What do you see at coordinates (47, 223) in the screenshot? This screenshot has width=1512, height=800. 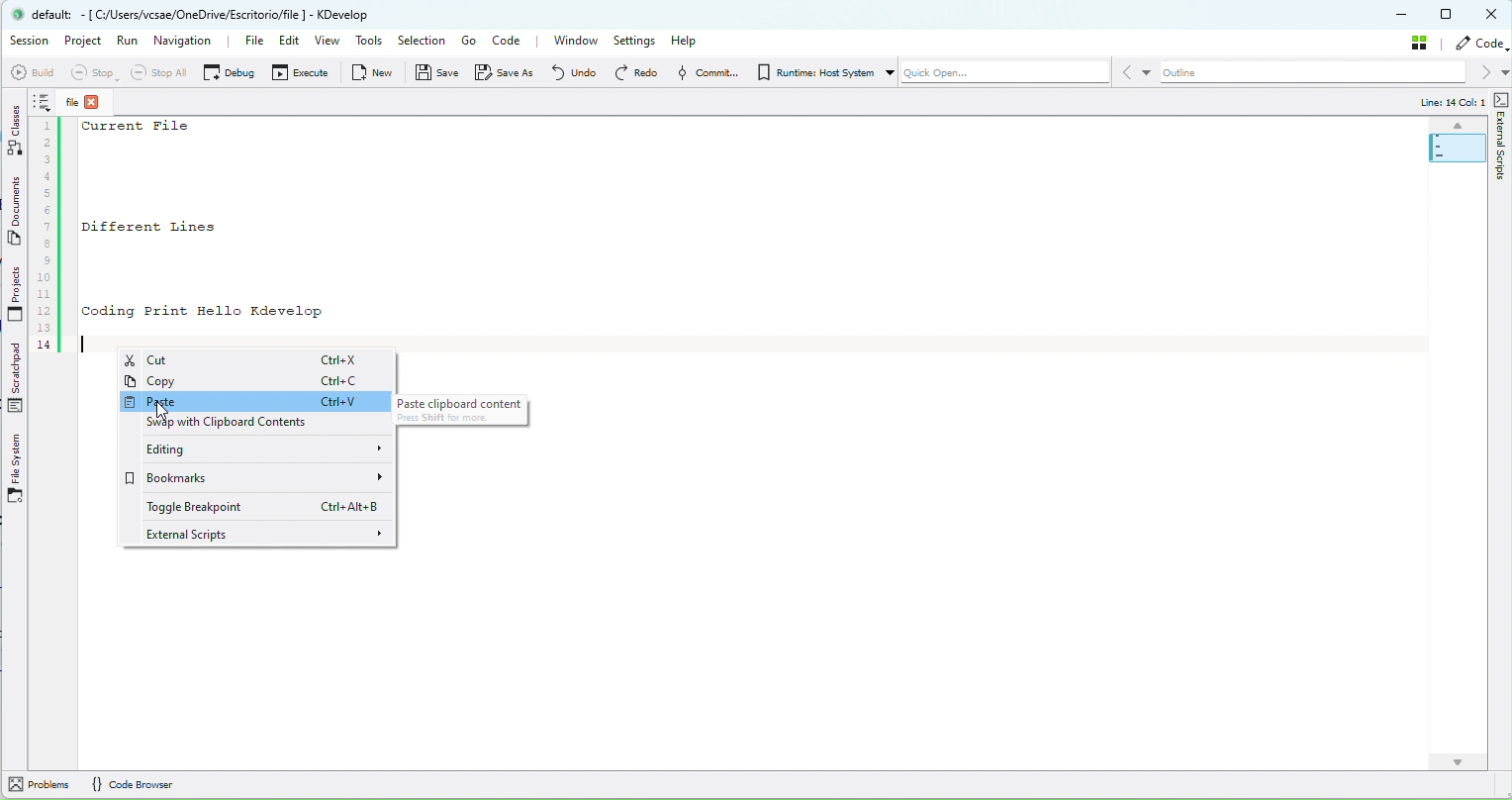 I see `Code line` at bounding box center [47, 223].